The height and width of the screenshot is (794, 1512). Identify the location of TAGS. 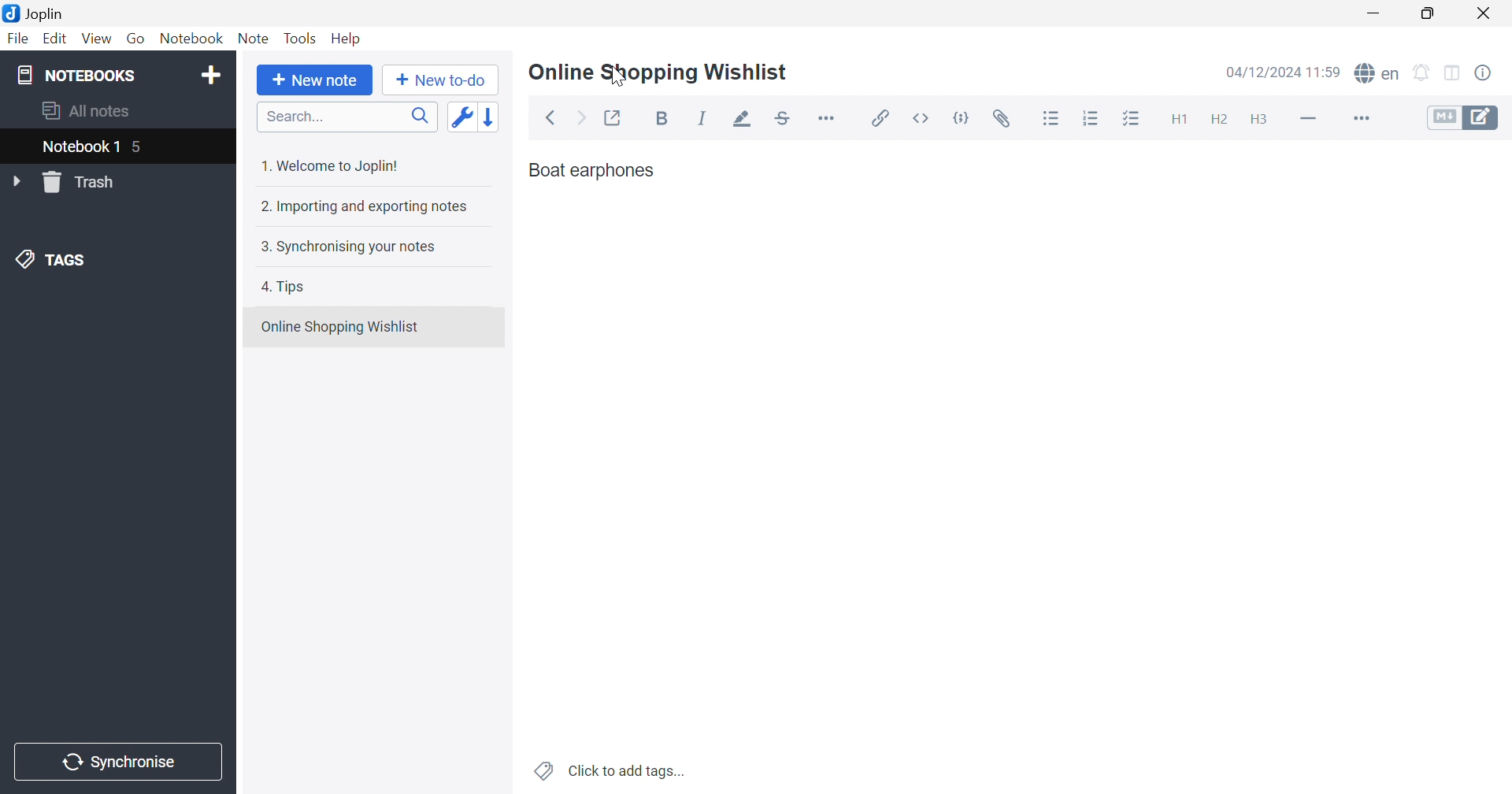
(55, 262).